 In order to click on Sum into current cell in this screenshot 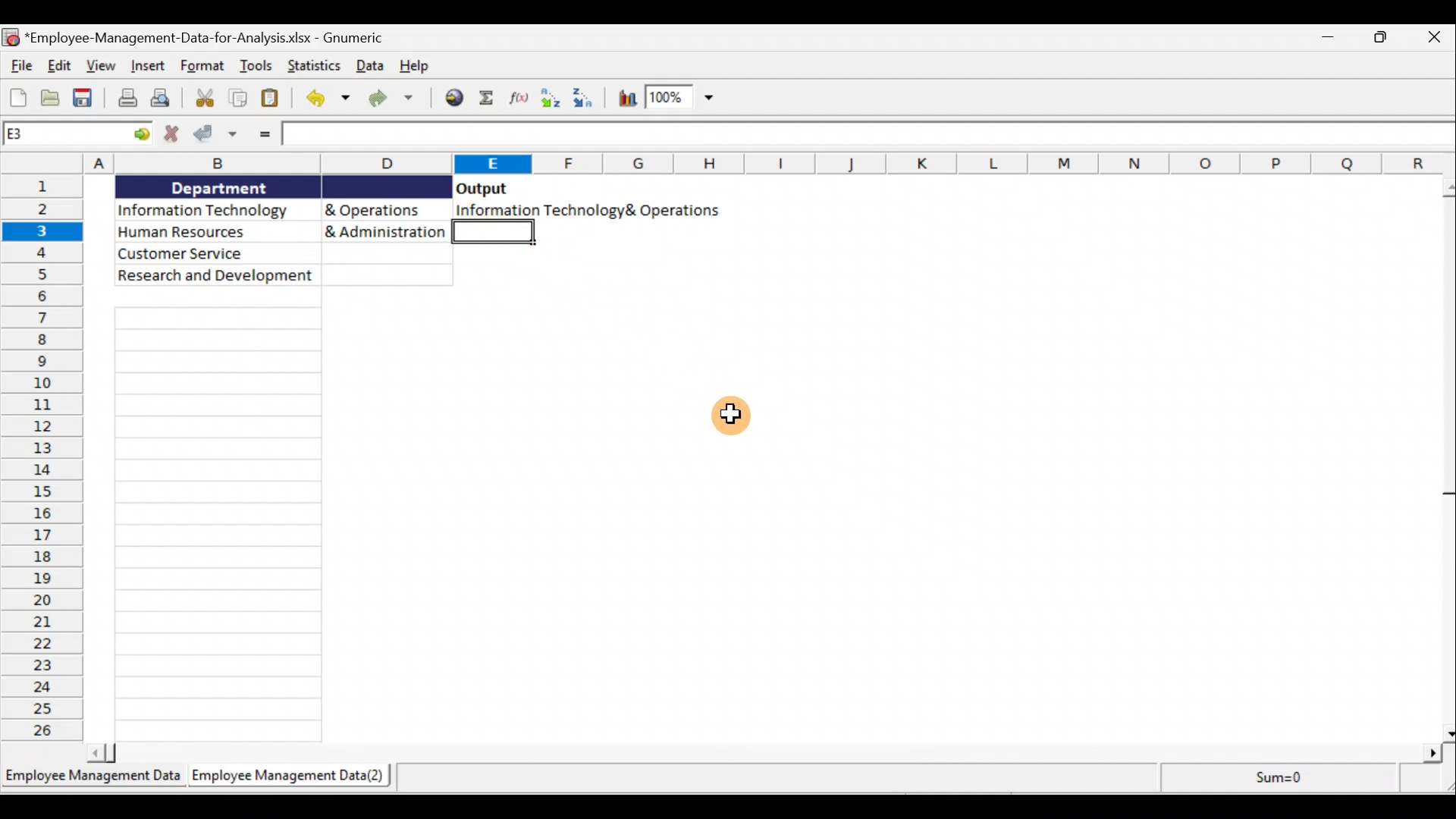, I will do `click(486, 96)`.